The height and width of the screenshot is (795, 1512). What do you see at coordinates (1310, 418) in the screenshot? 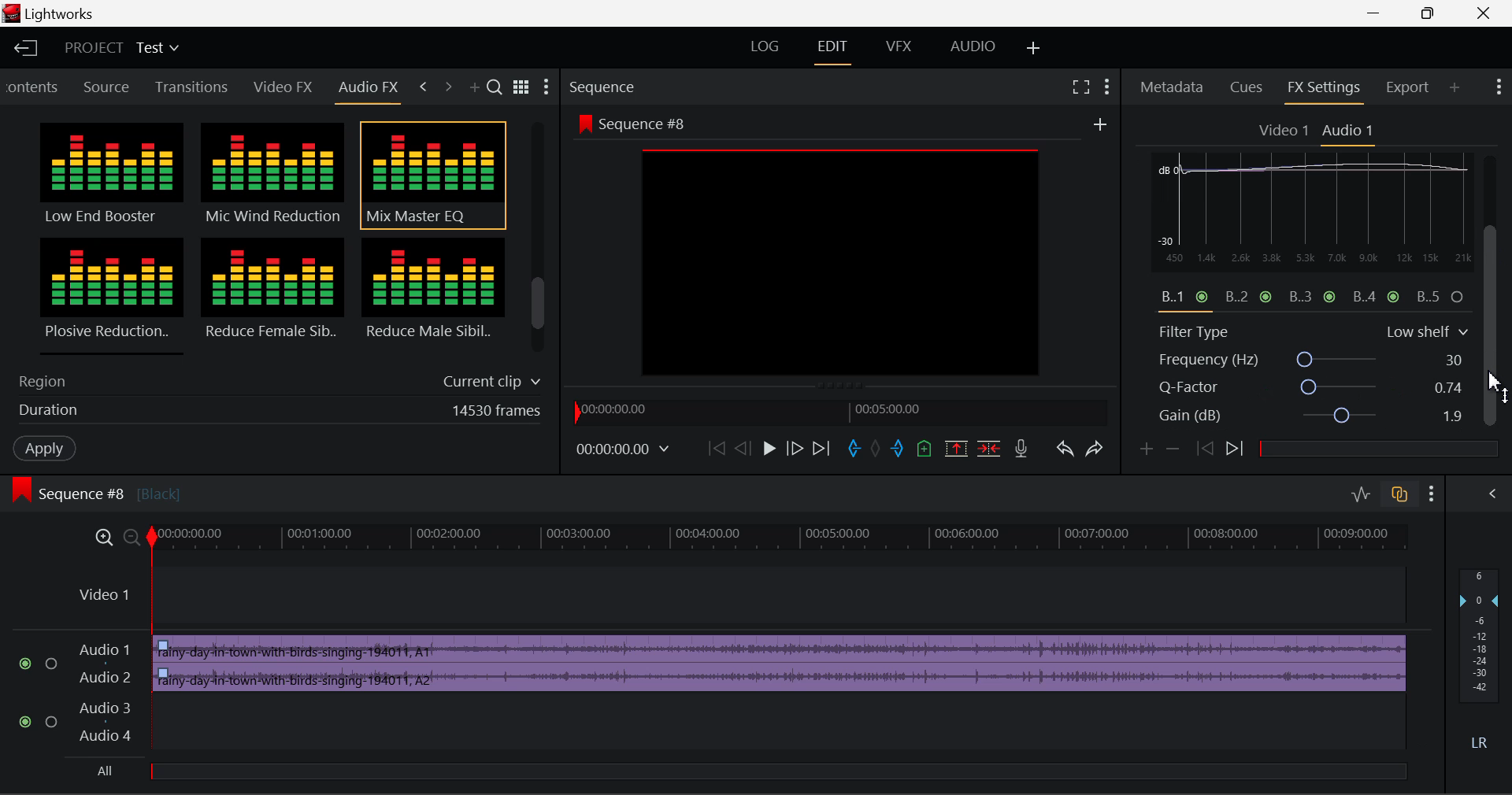
I see `Gain (dB)` at bounding box center [1310, 418].